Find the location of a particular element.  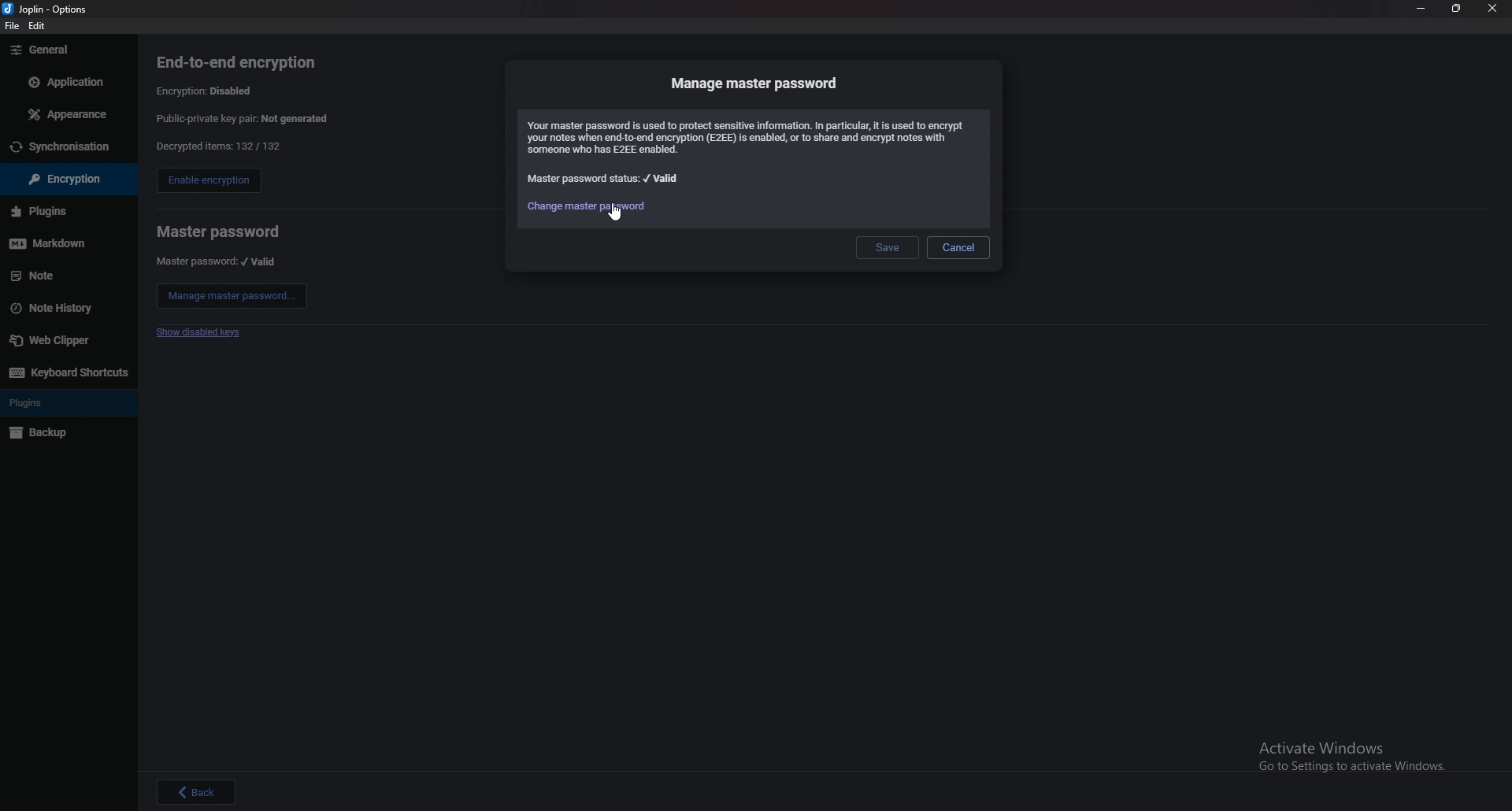

backup is located at coordinates (61, 434).